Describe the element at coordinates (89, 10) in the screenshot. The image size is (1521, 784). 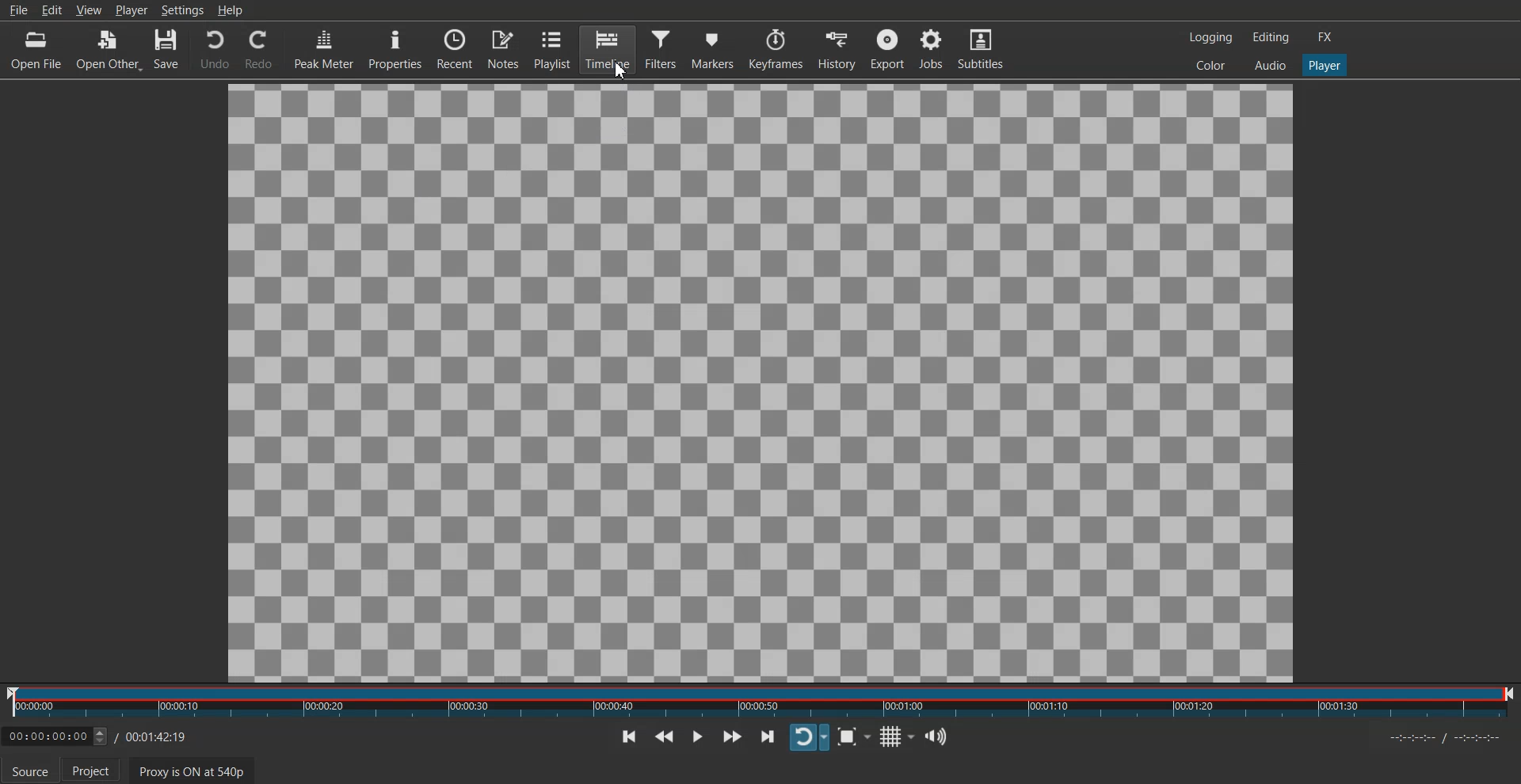
I see `View` at that location.